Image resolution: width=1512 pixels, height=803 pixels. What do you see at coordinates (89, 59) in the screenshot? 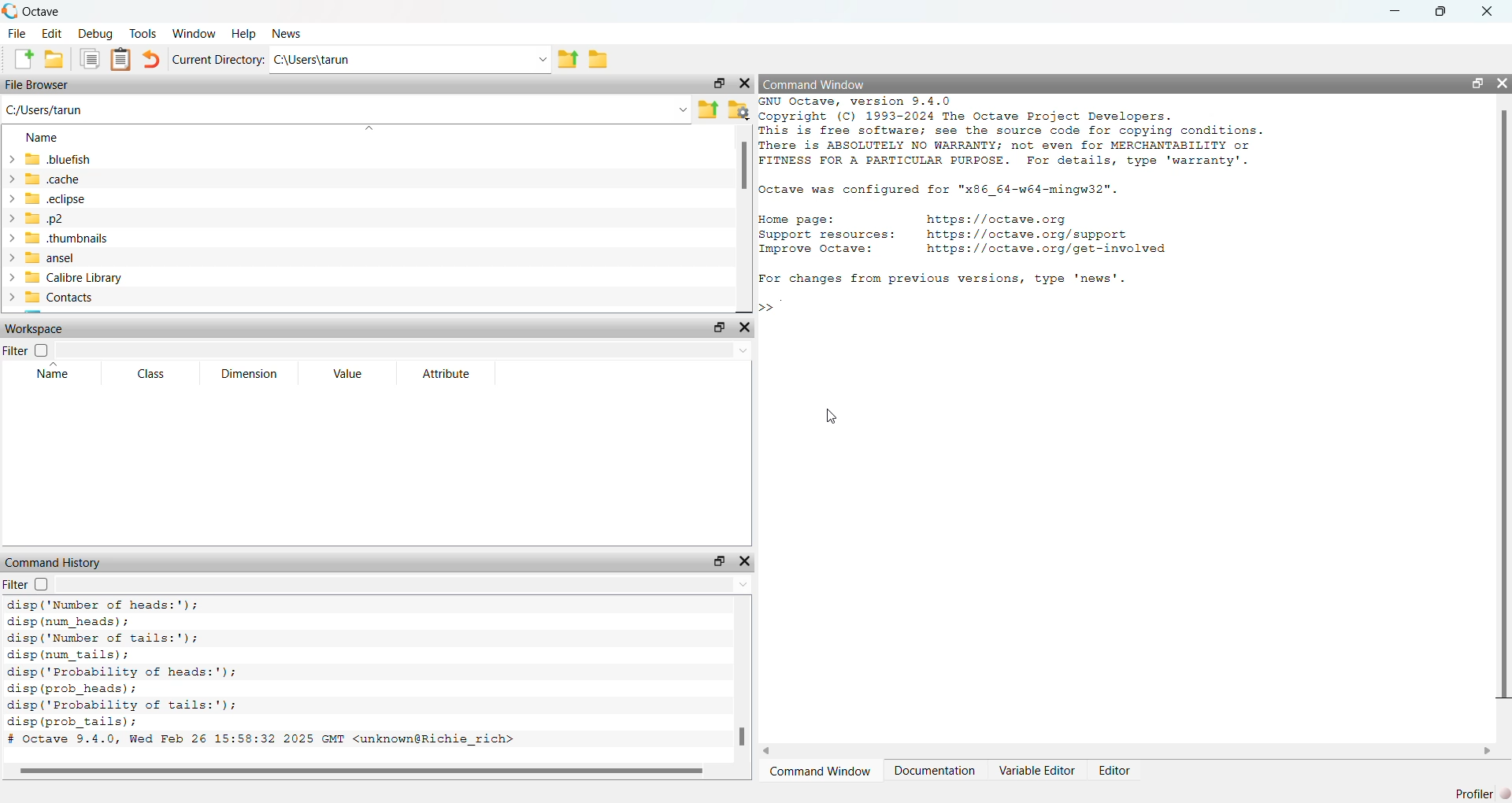
I see `Copy` at bounding box center [89, 59].